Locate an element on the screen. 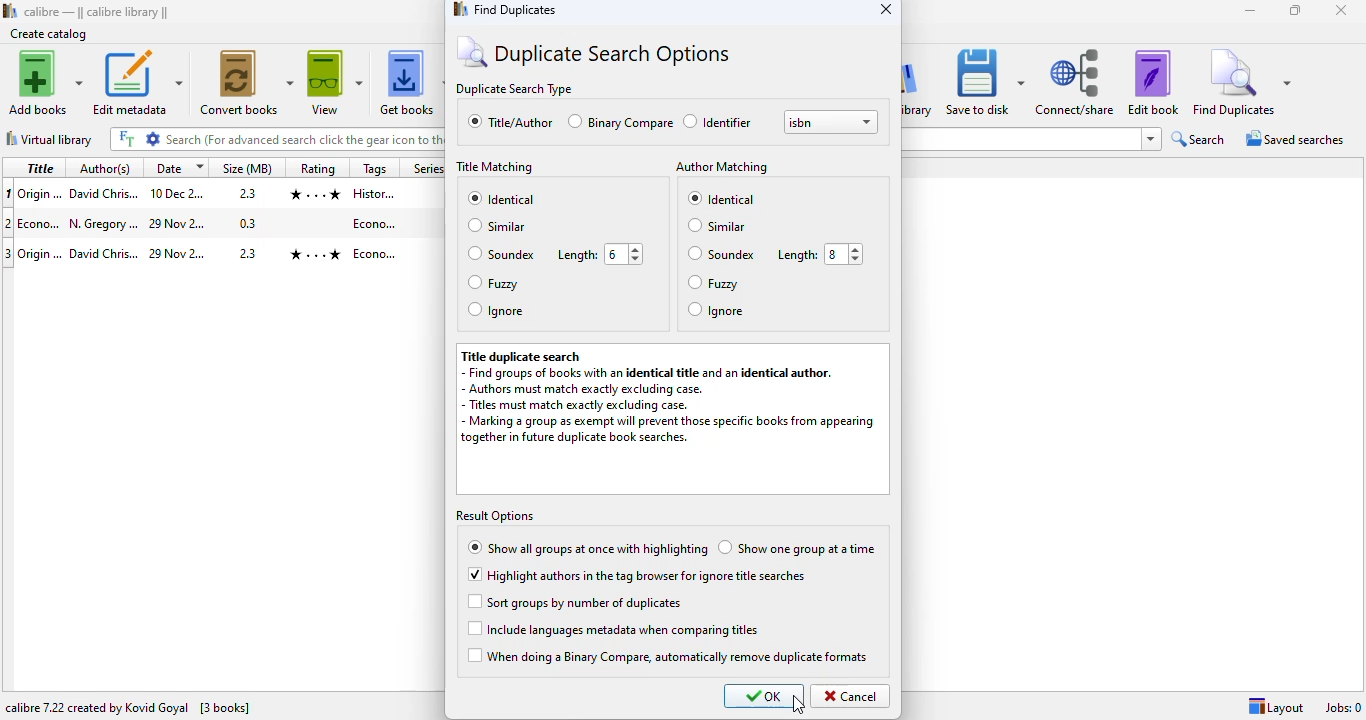  create catalog is located at coordinates (50, 34).